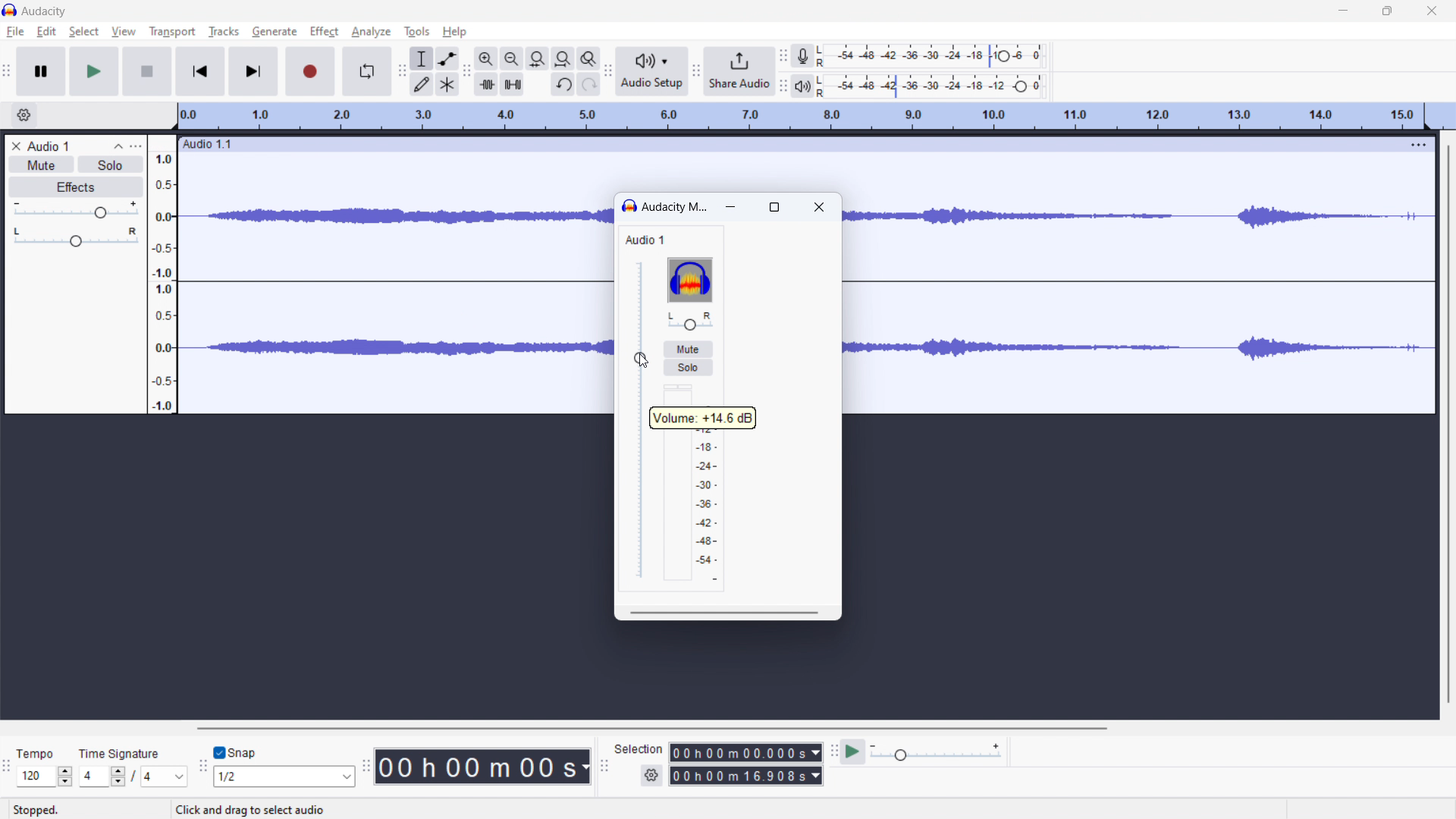 This screenshot has height=819, width=1456. Describe the element at coordinates (1436, 350) in the screenshot. I see `scroll bar` at that location.